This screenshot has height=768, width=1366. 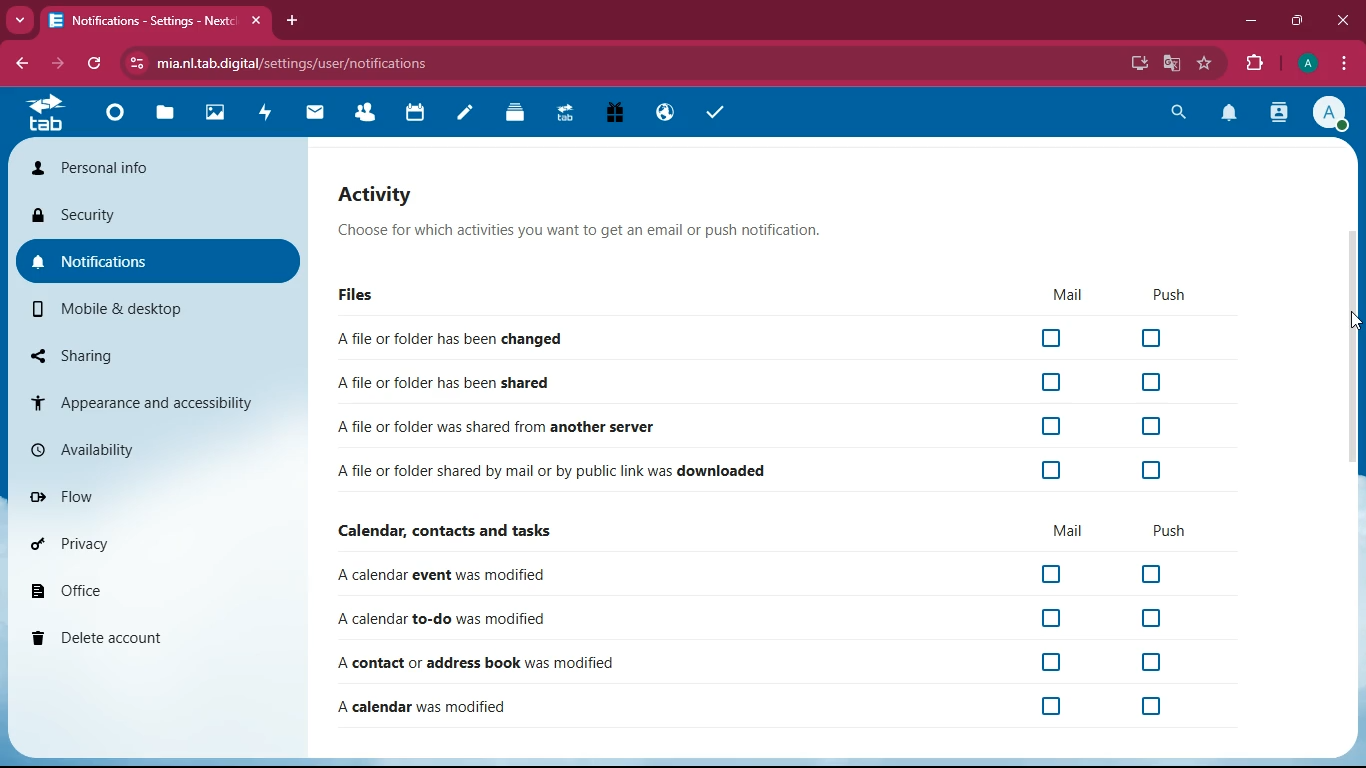 I want to click on push, so click(x=1172, y=295).